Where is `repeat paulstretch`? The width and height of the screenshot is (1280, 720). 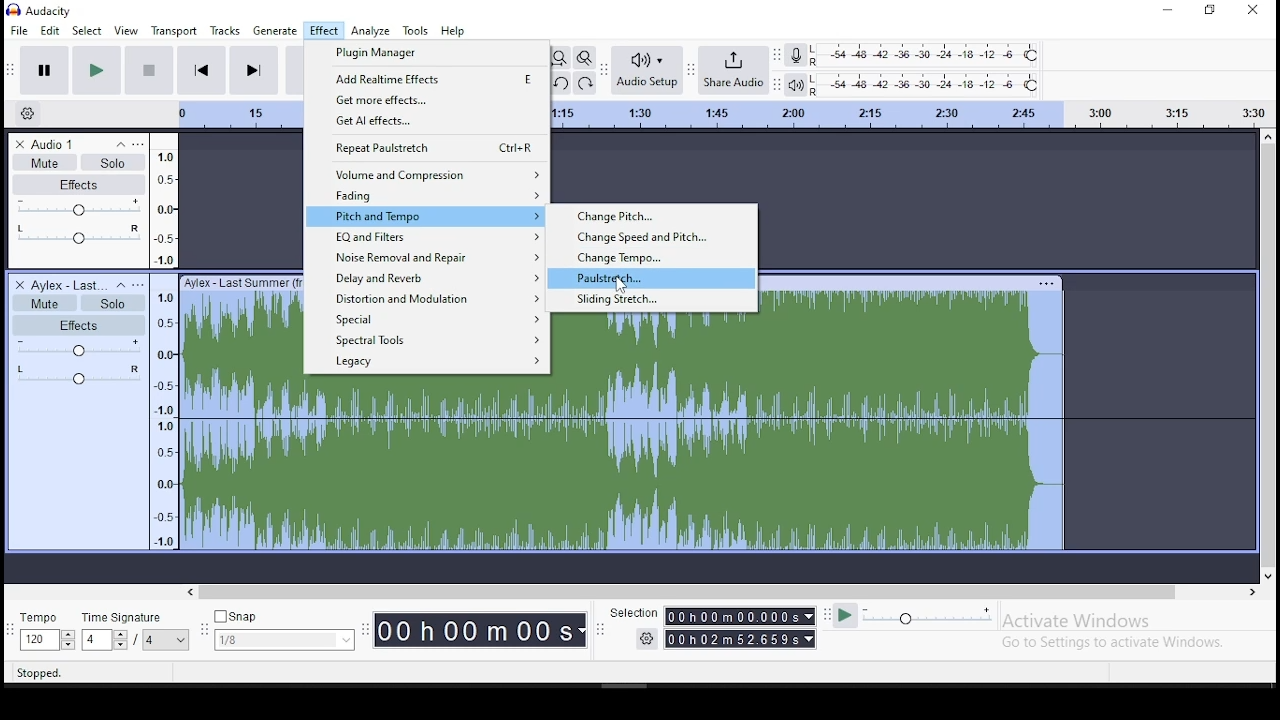 repeat paulstretch is located at coordinates (428, 148).